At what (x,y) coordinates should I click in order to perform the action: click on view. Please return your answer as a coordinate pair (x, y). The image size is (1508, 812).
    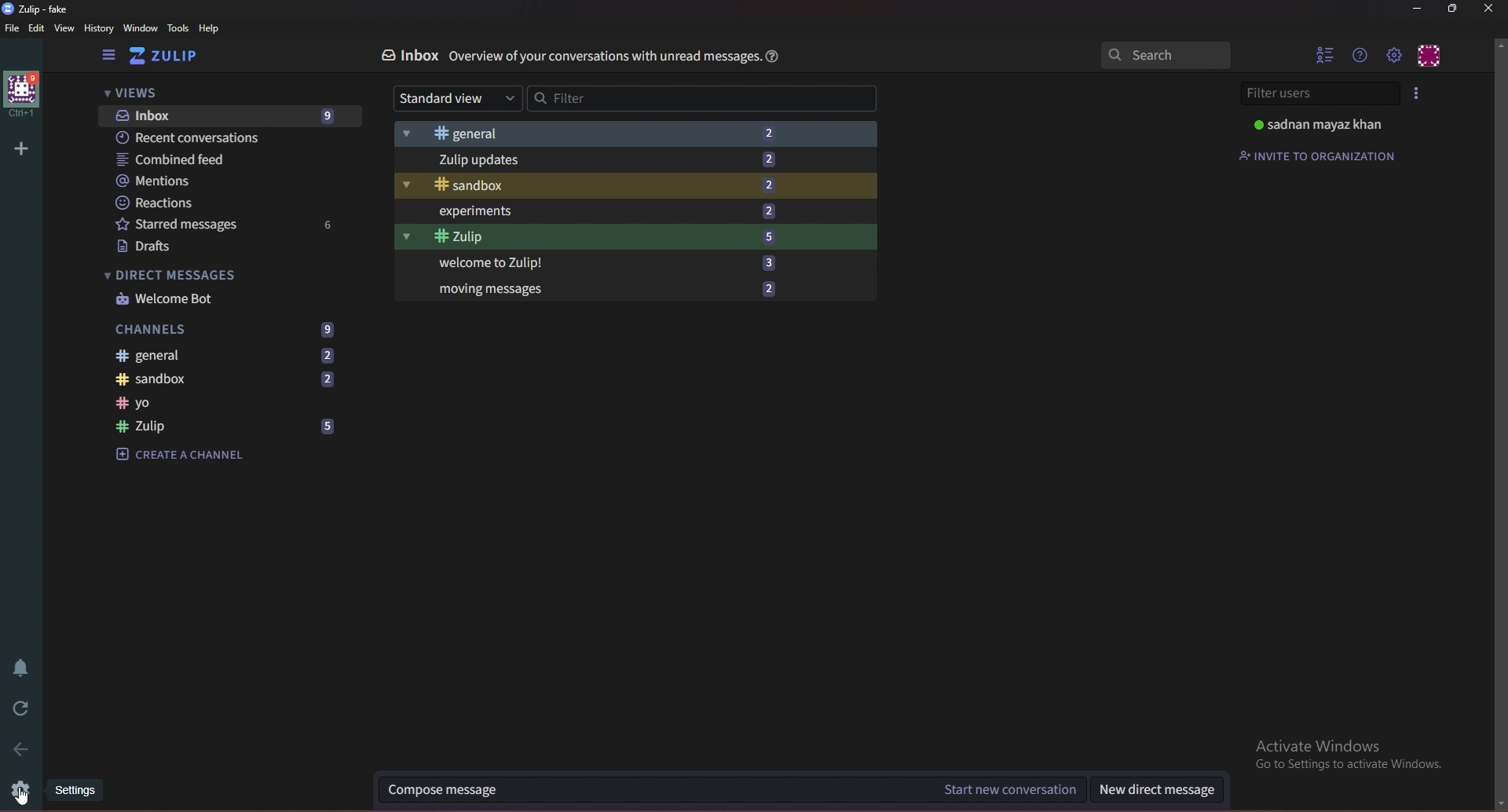
    Looking at the image, I should click on (67, 28).